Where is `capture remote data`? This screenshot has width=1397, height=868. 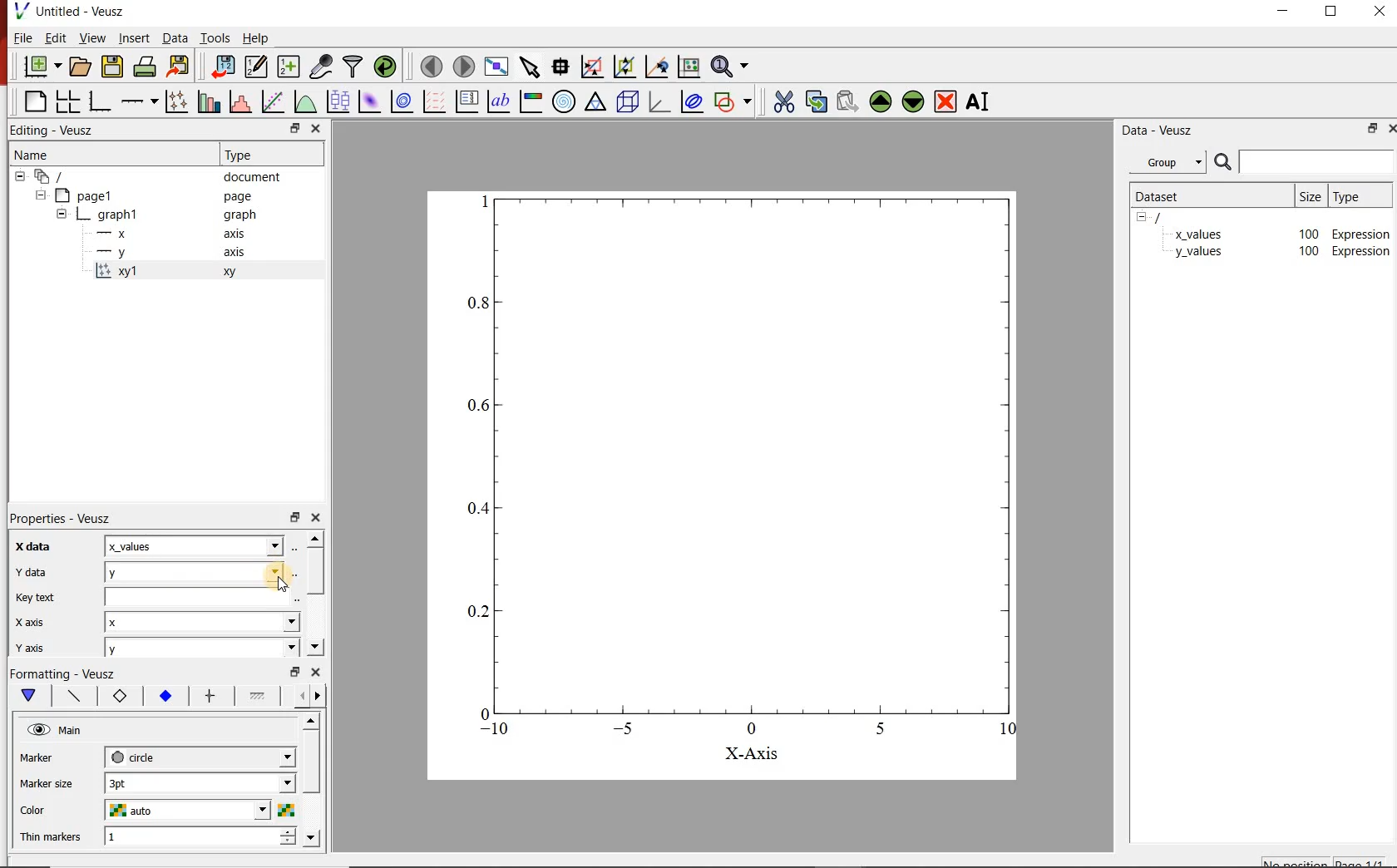 capture remote data is located at coordinates (321, 66).